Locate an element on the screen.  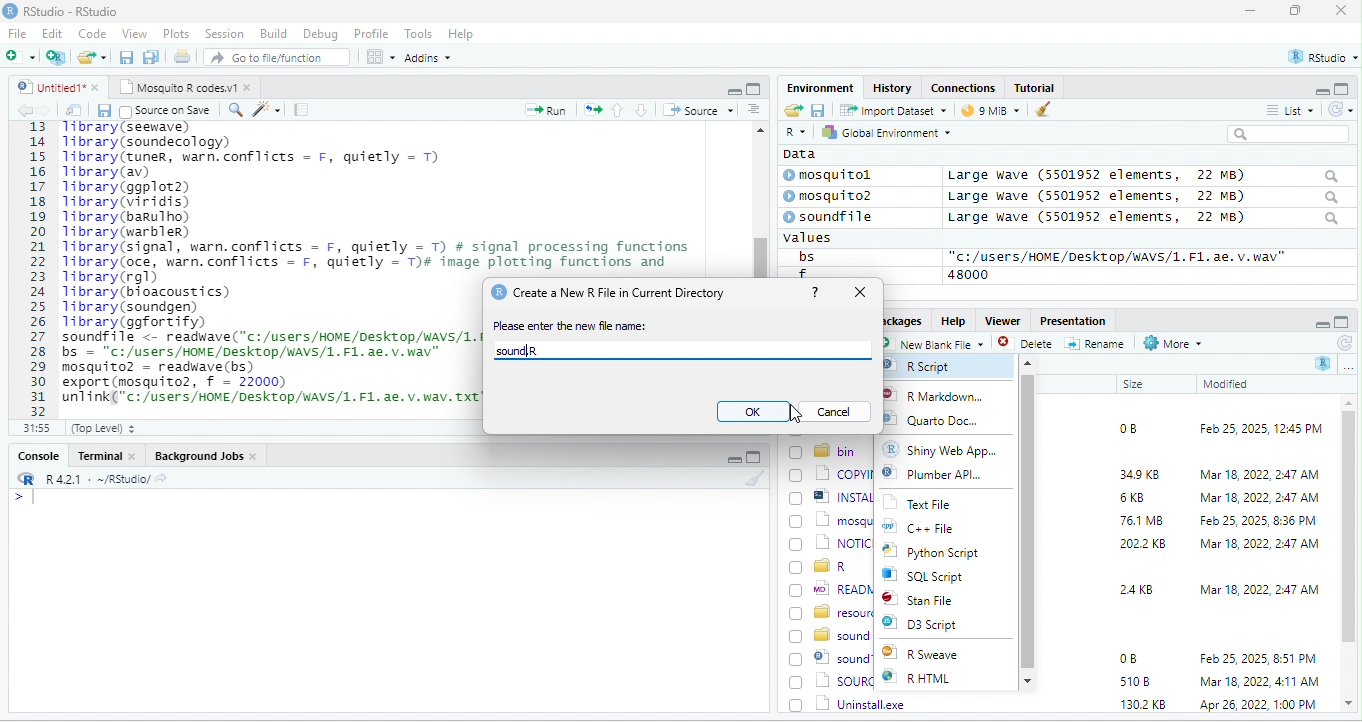
Python Script is located at coordinates (945, 554).